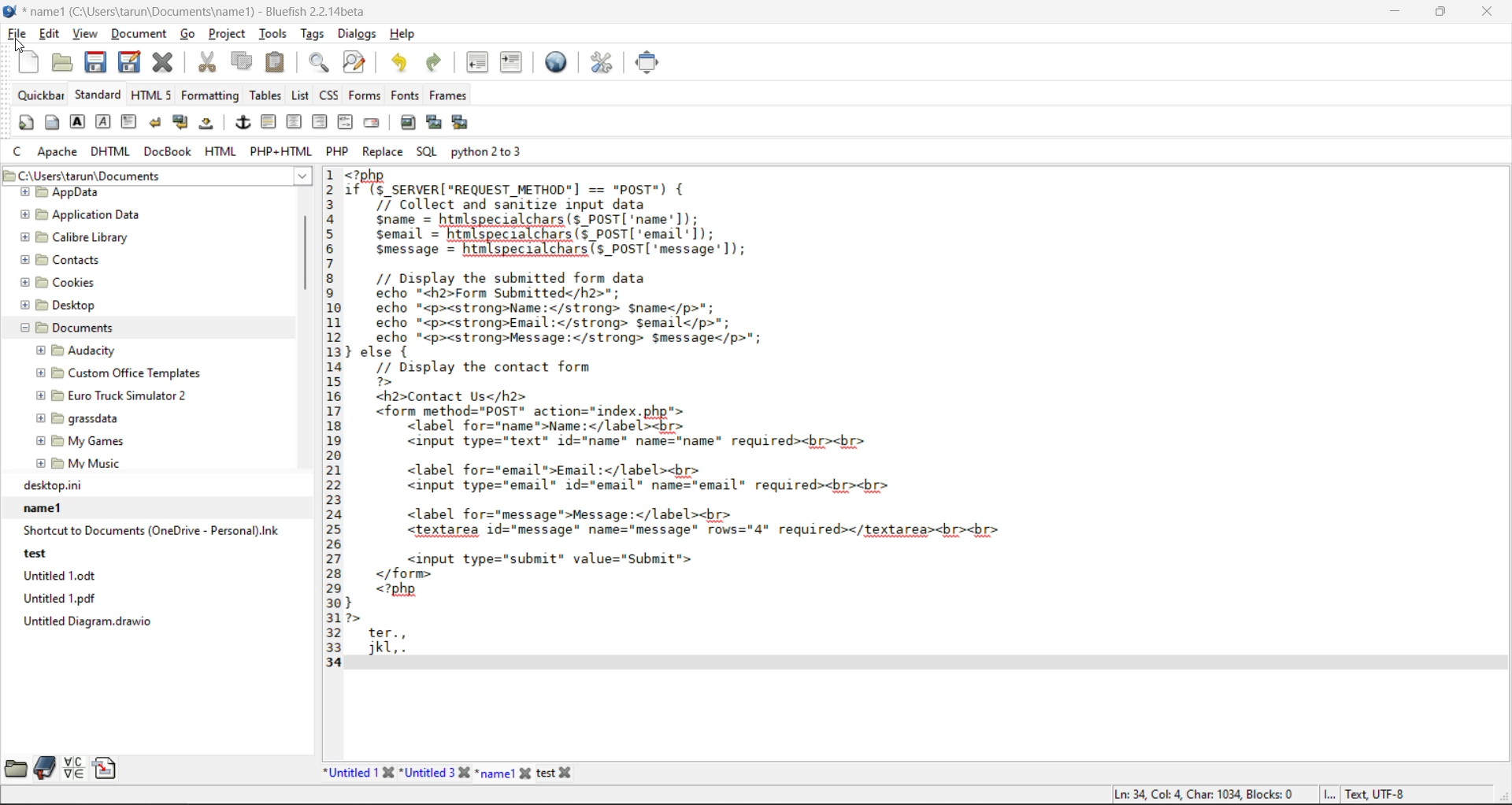 This screenshot has height=805, width=1512. What do you see at coordinates (182, 124) in the screenshot?
I see `break and clear` at bounding box center [182, 124].